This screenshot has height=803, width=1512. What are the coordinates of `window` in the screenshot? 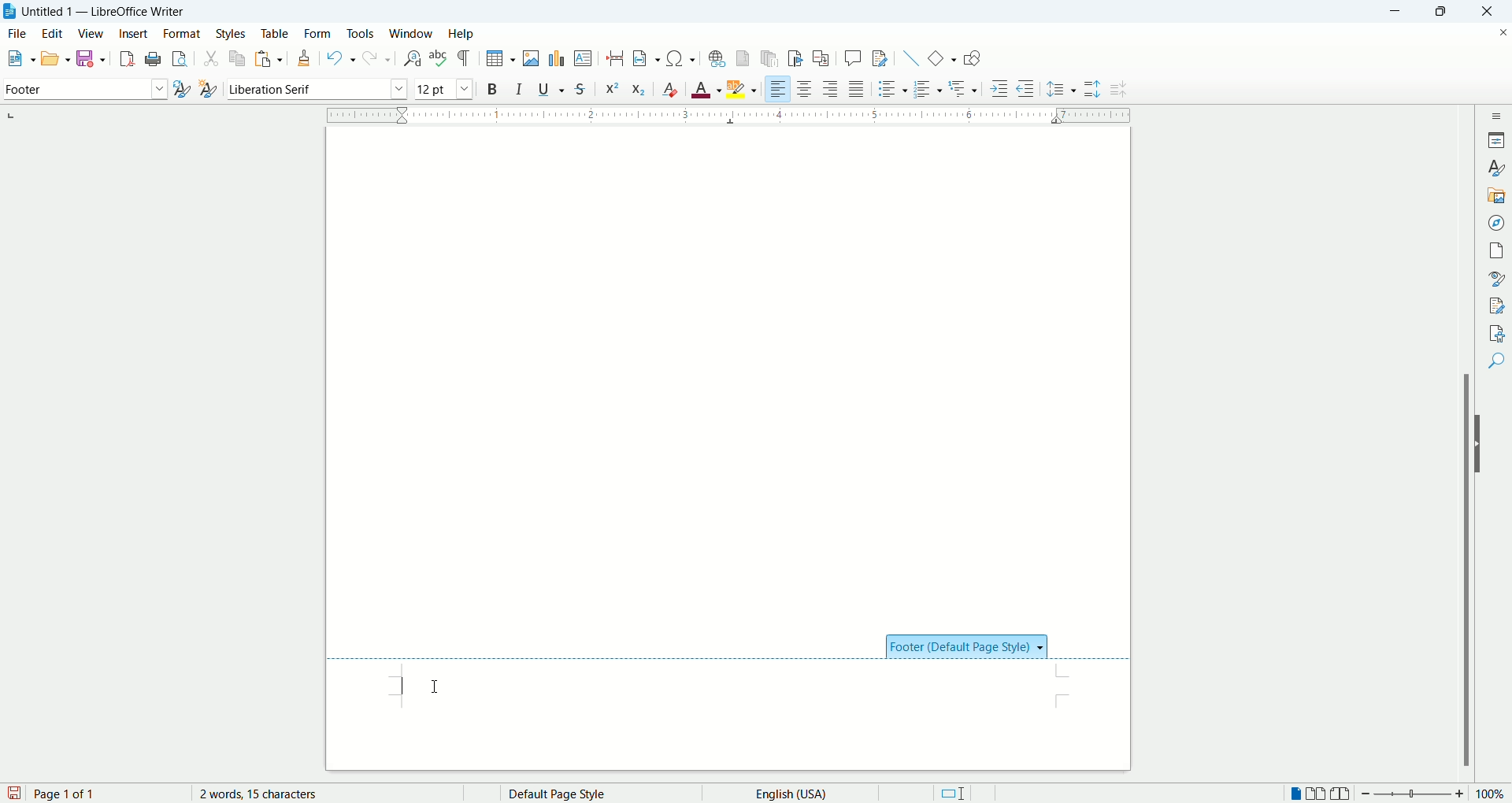 It's located at (412, 34).